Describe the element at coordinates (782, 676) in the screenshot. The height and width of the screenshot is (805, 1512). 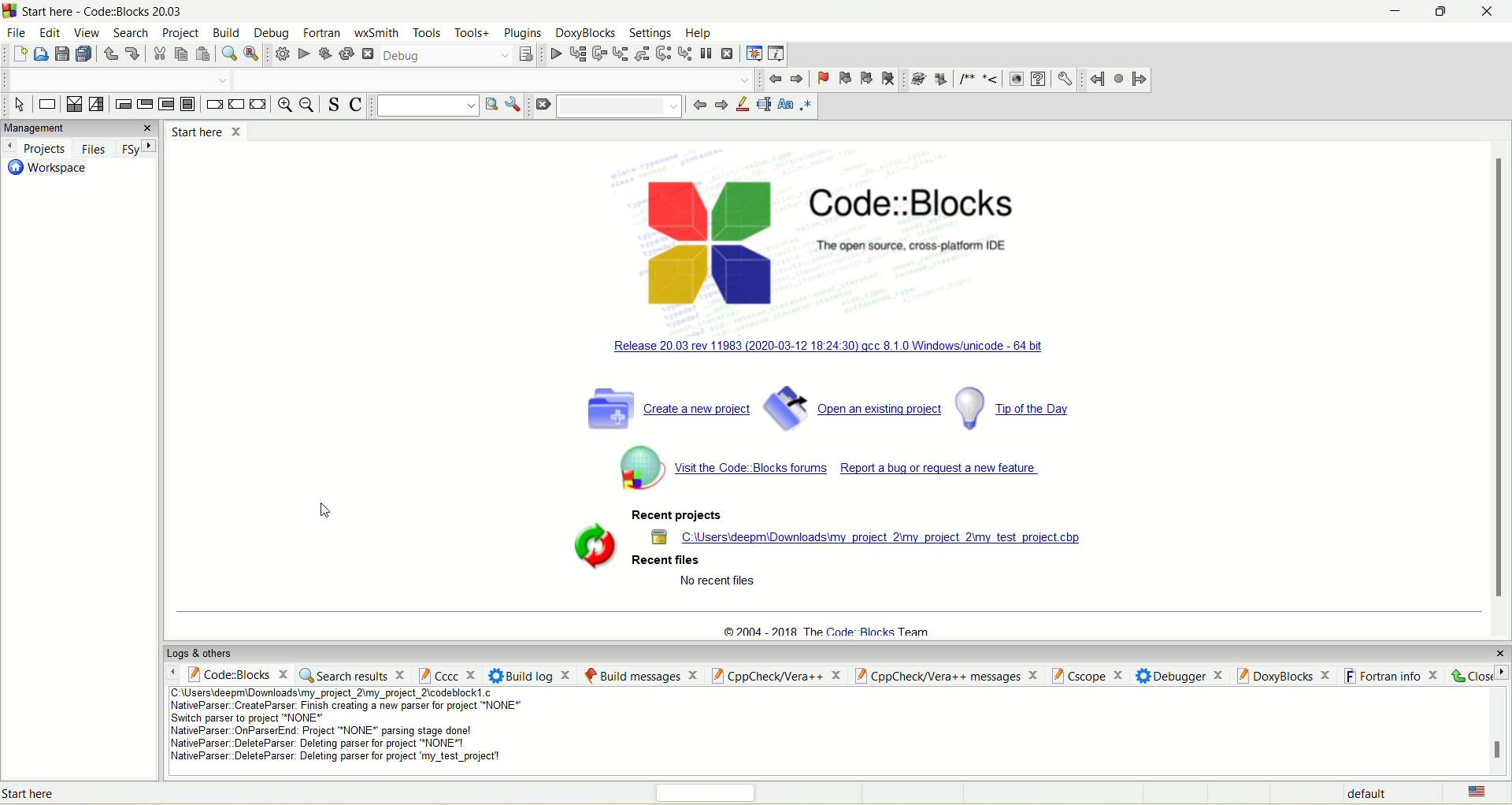
I see `Cppcheck/vera++` at that location.